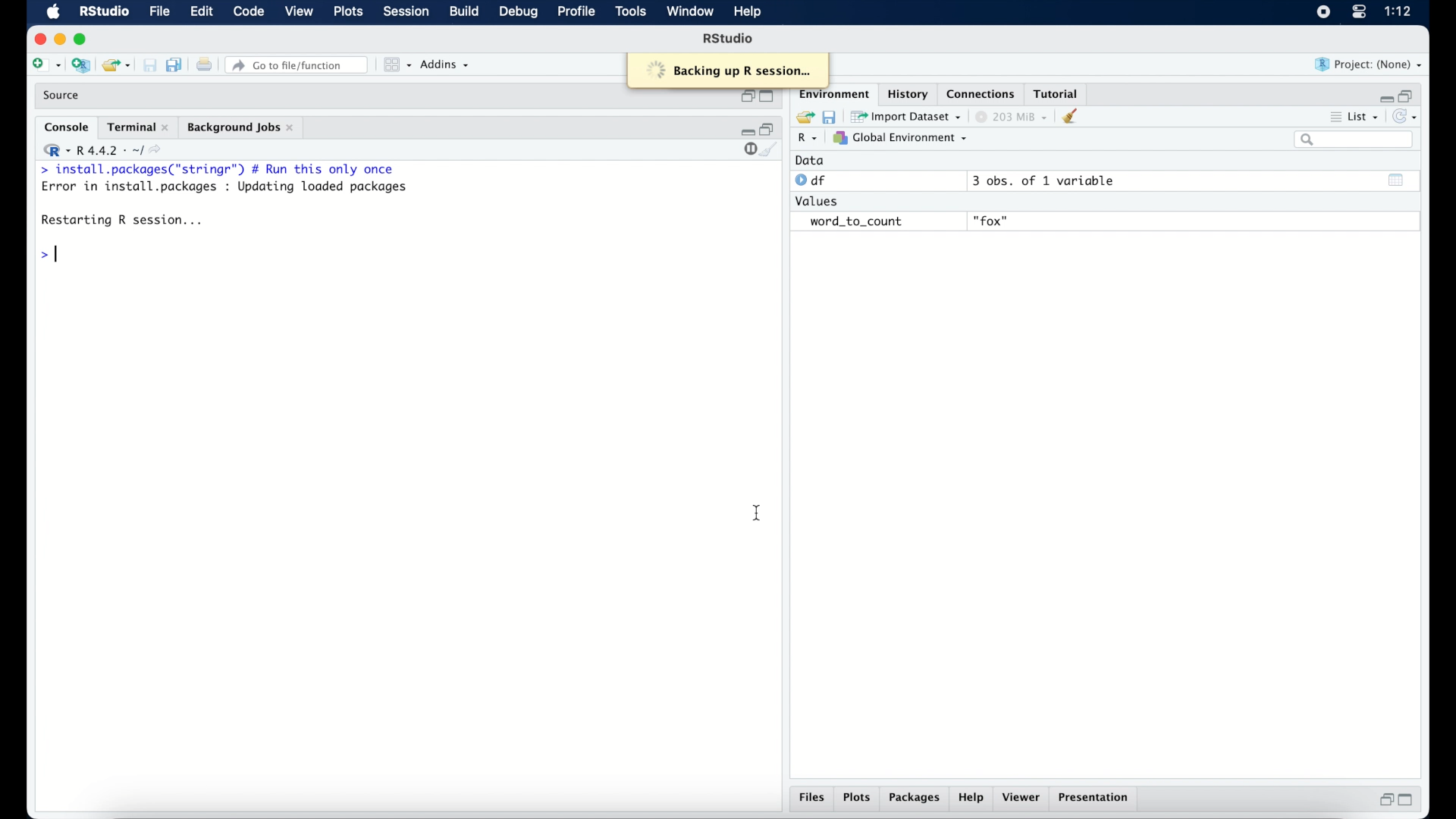  Describe the element at coordinates (119, 66) in the screenshot. I see `load existing project` at that location.